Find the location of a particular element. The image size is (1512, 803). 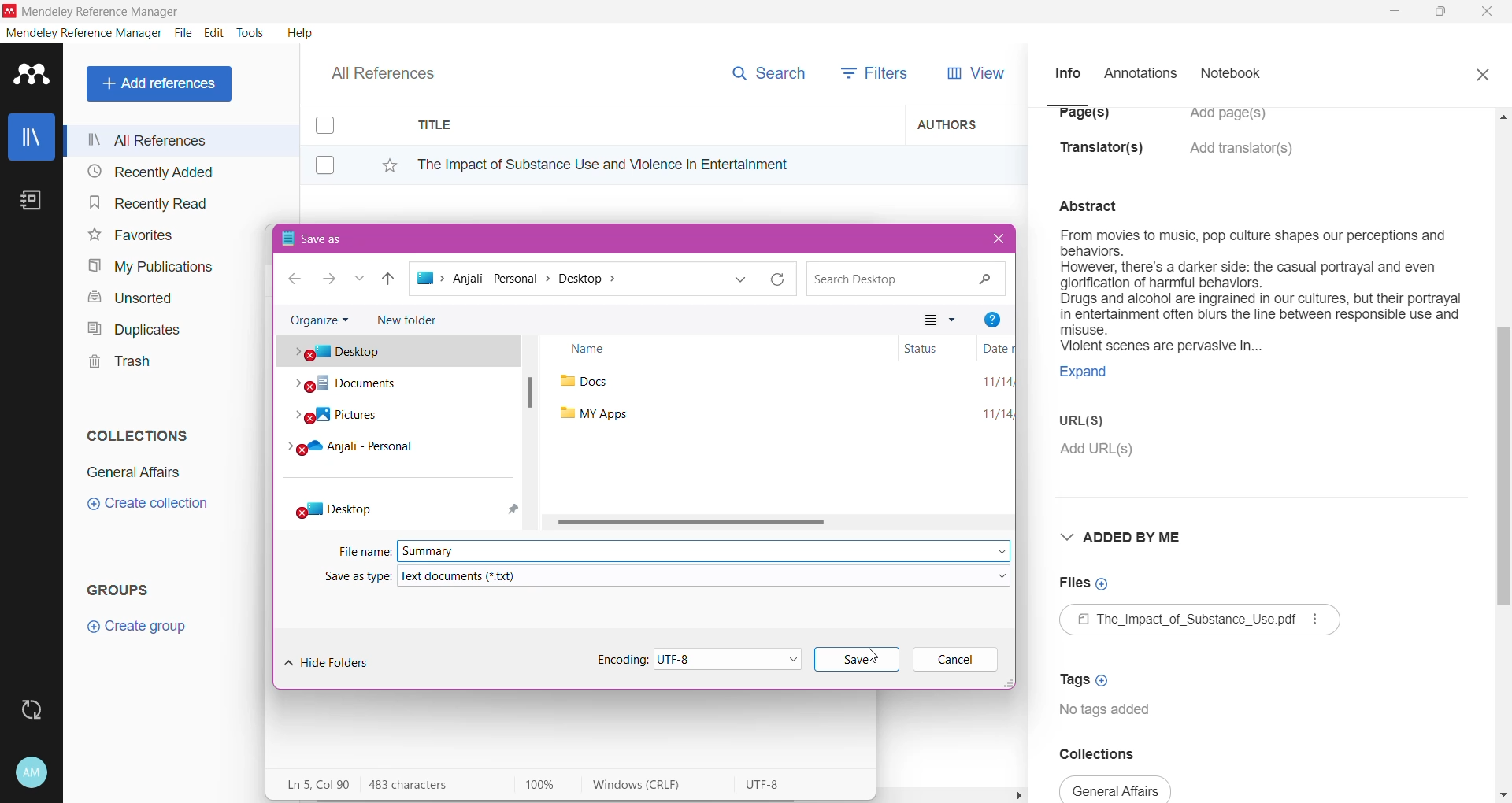

Close is located at coordinates (1488, 13).